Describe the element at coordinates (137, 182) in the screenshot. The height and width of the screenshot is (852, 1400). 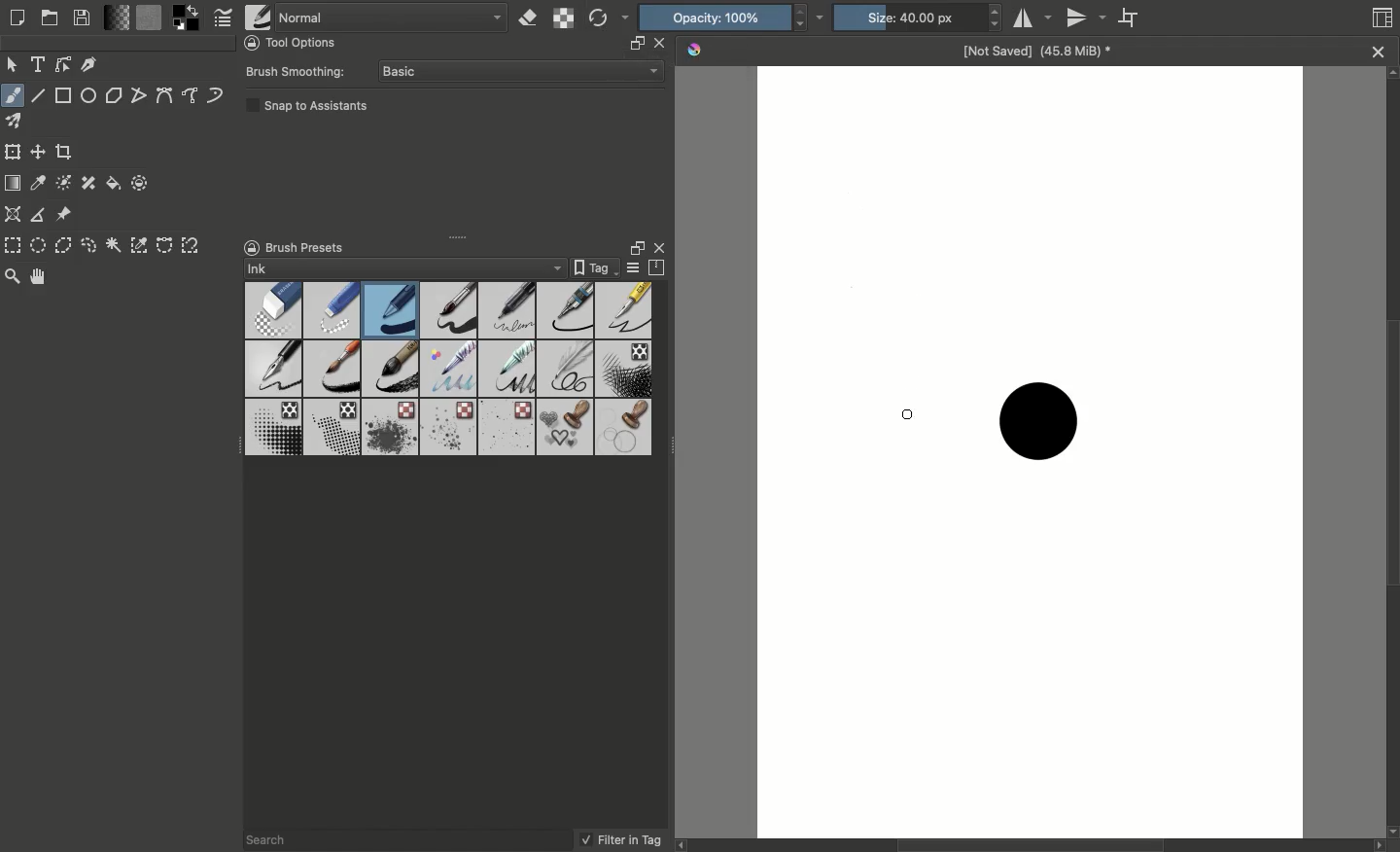
I see `Enclose and fill ` at that location.